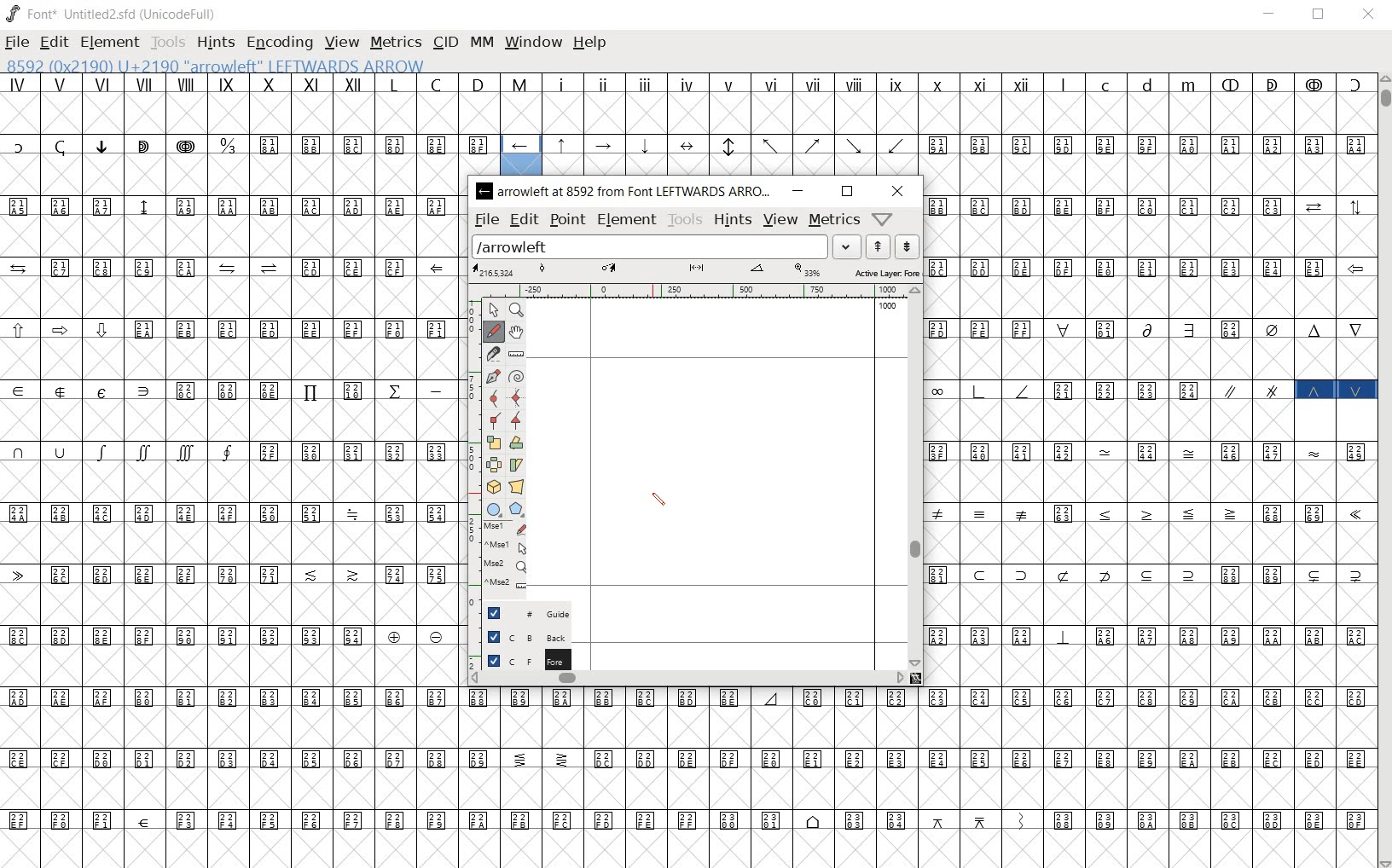 The image size is (1392, 868). I want to click on tools, so click(167, 44).